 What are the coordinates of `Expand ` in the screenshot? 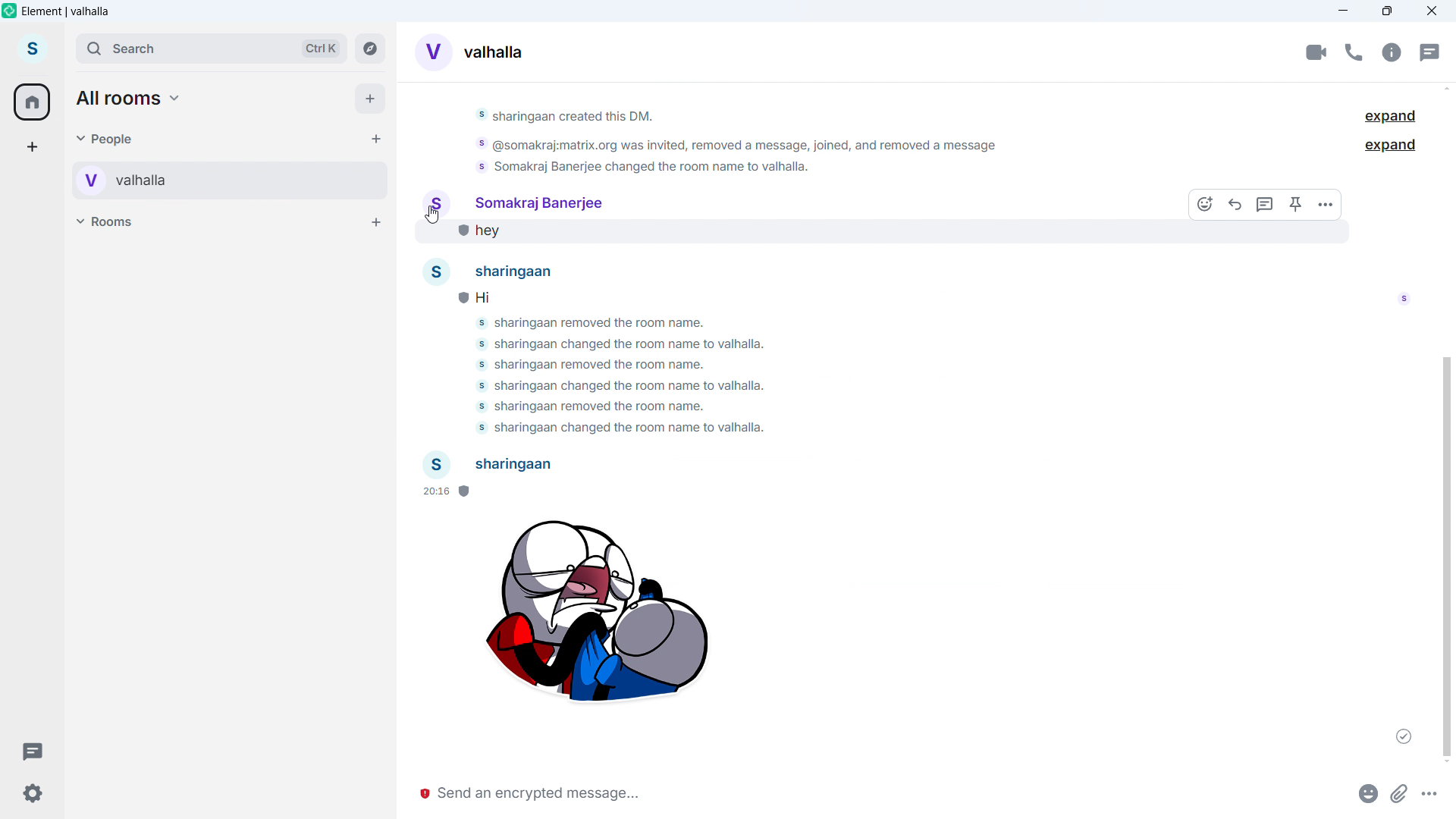 It's located at (1394, 146).